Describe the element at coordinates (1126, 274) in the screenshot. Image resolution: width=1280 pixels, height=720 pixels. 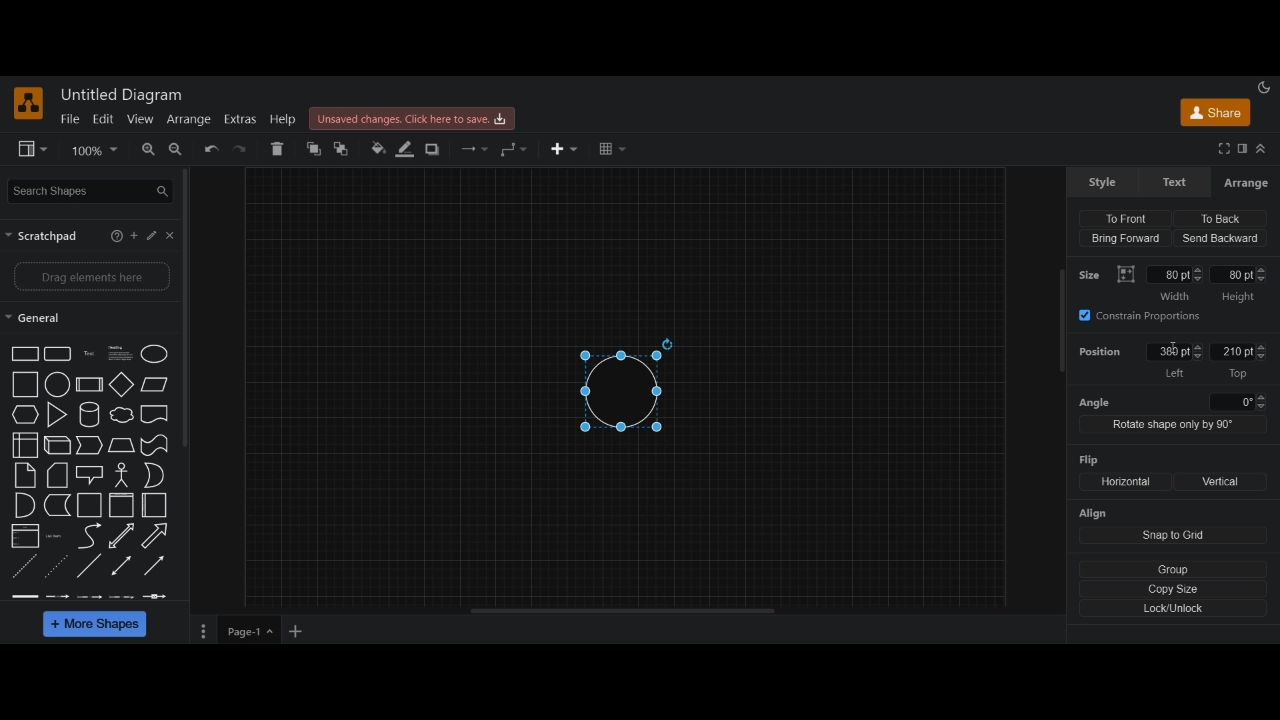
I see `autosize` at that location.